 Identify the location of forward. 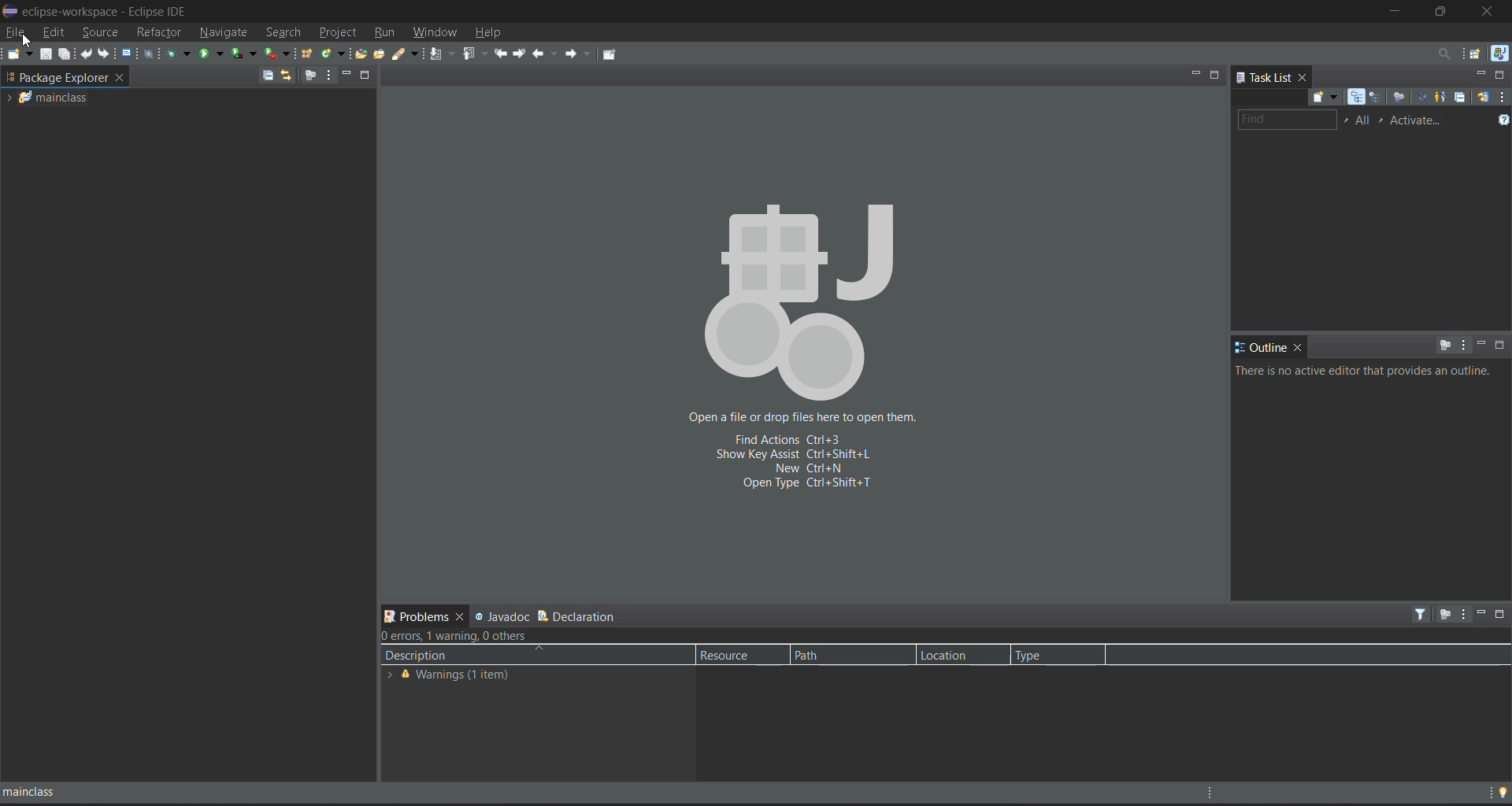
(582, 56).